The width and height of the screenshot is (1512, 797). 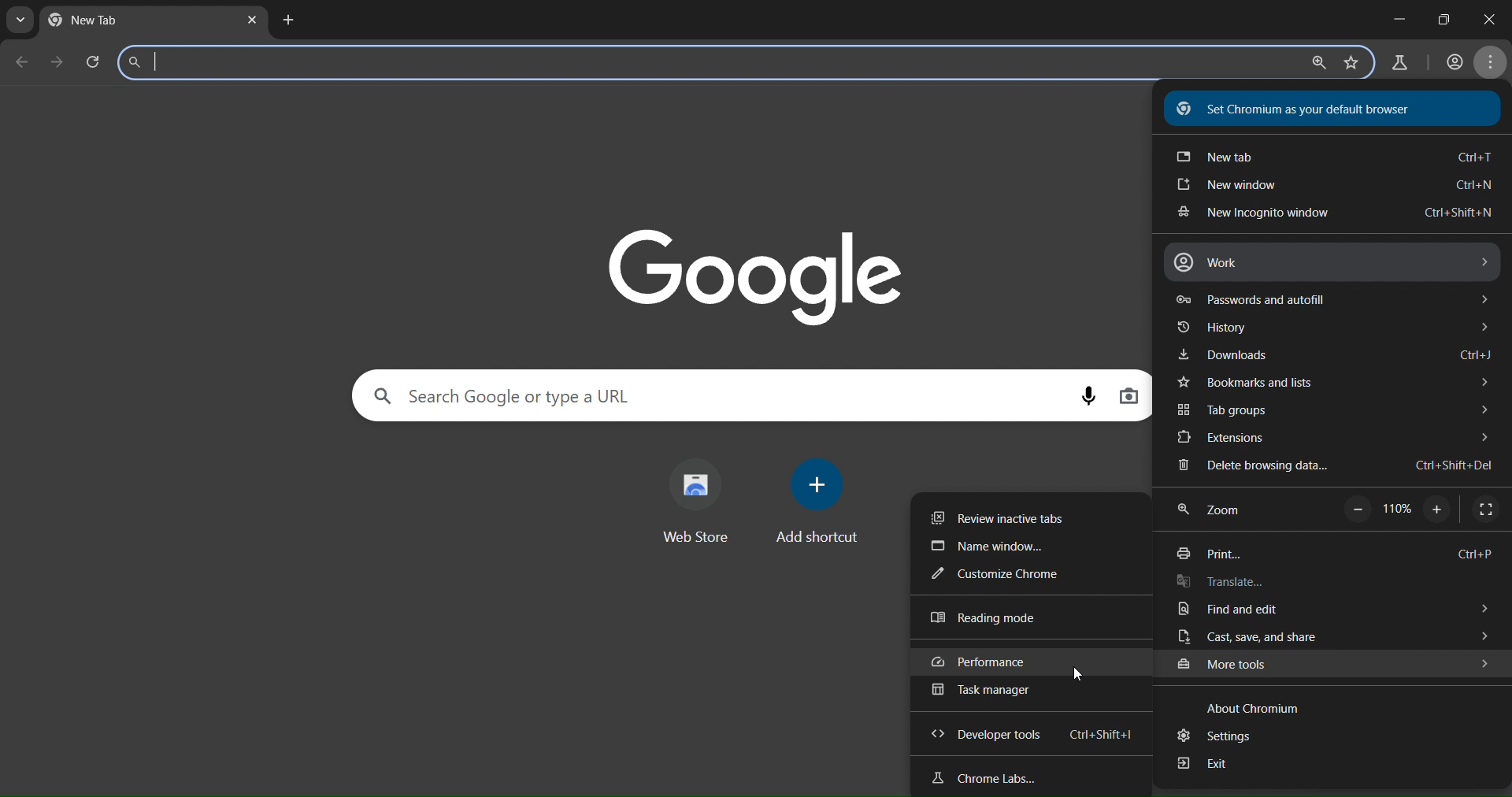 I want to click on zoom , so click(x=1315, y=64).